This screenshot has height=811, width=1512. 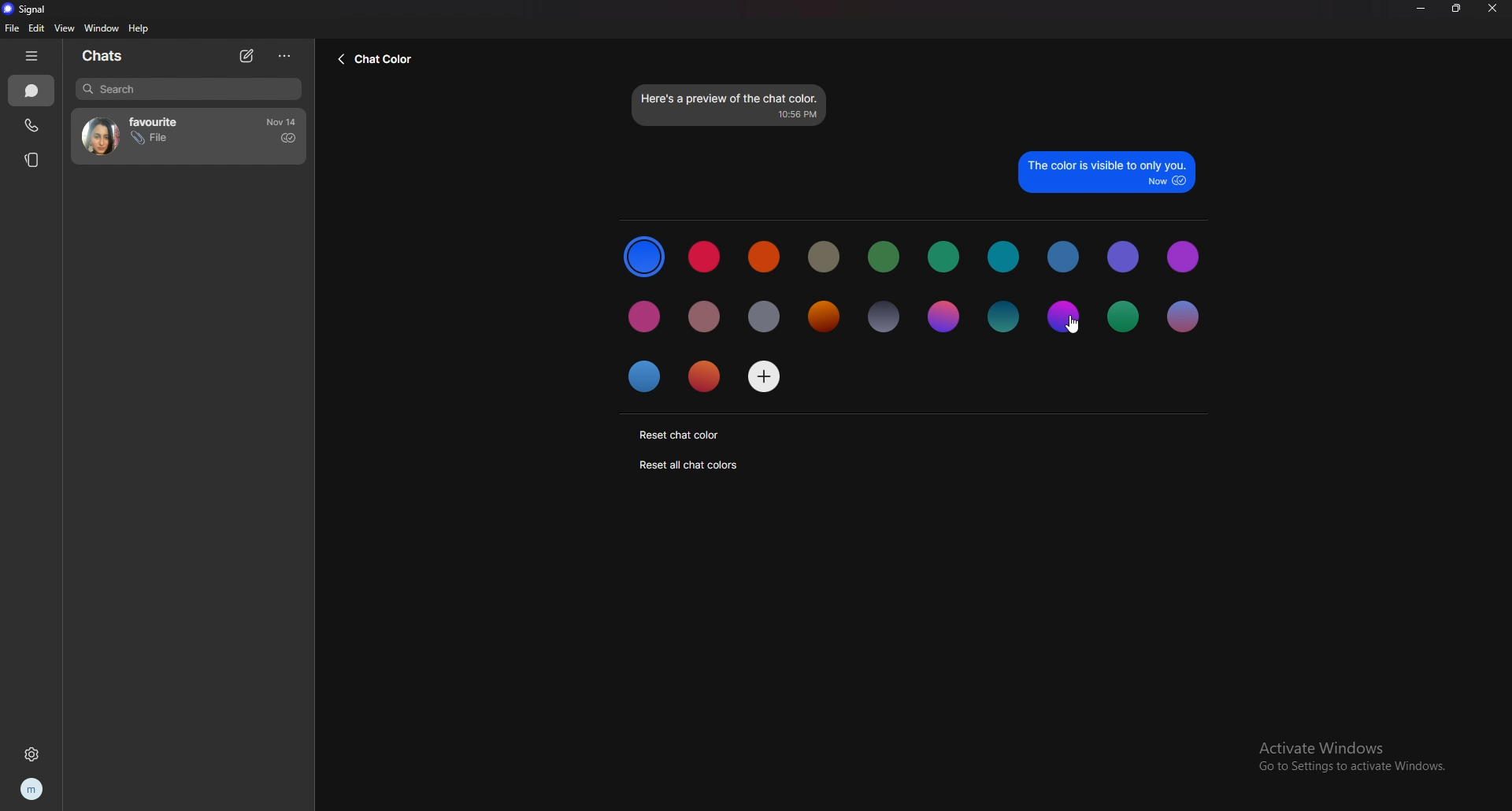 I want to click on color, so click(x=1002, y=319).